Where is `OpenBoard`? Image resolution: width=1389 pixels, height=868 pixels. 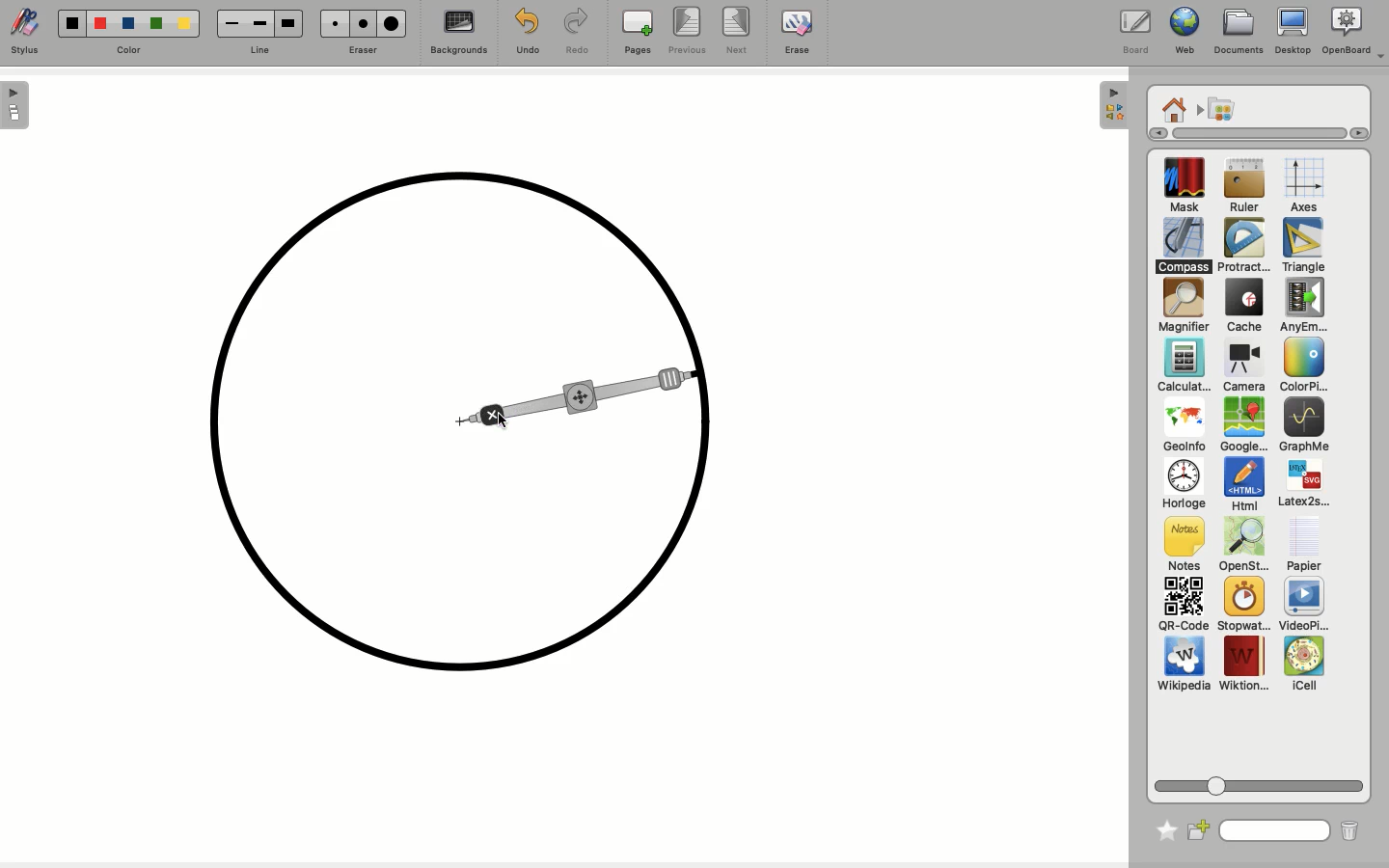 OpenBoard is located at coordinates (1353, 32).